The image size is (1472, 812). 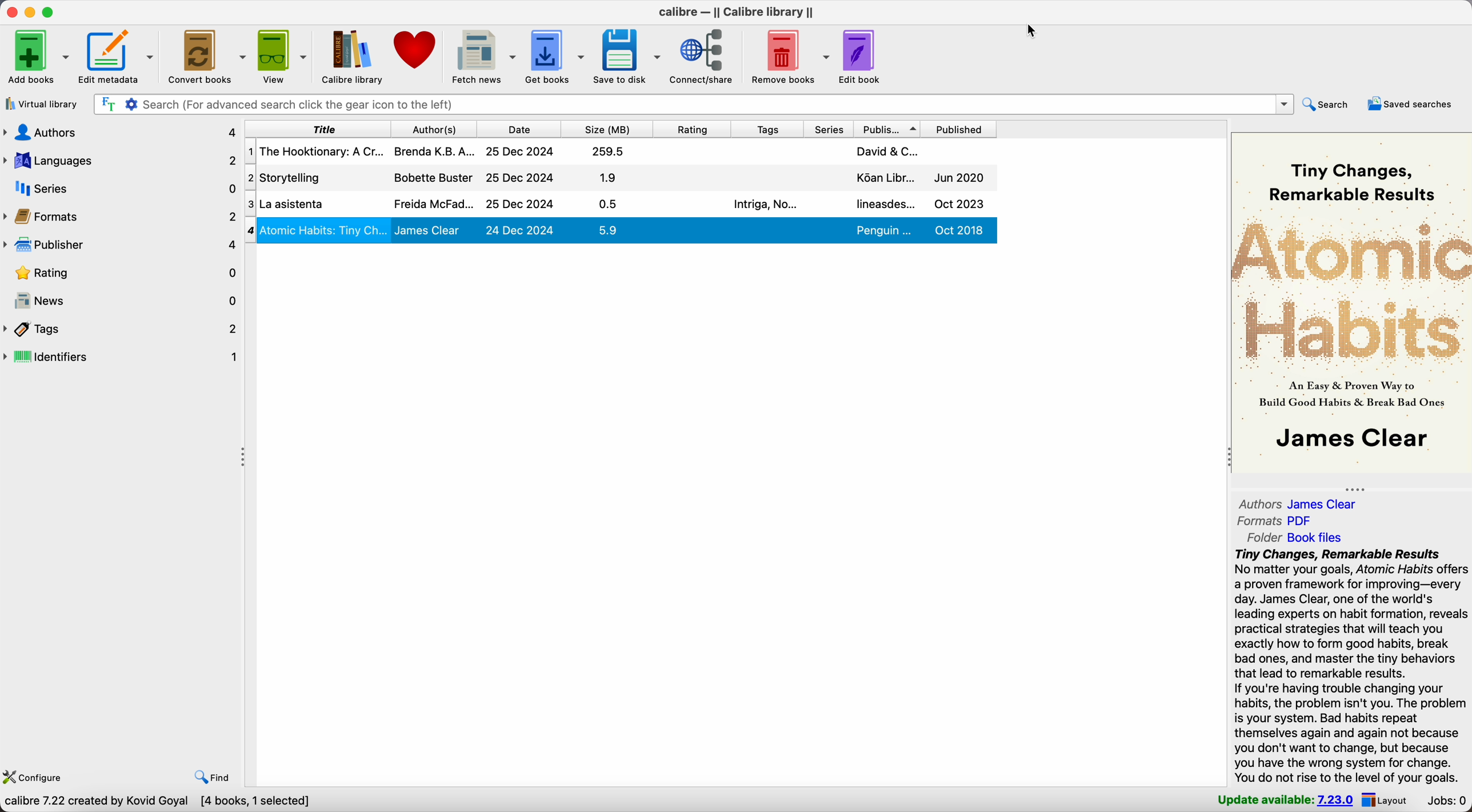 I want to click on la asistenta, so click(x=295, y=205).